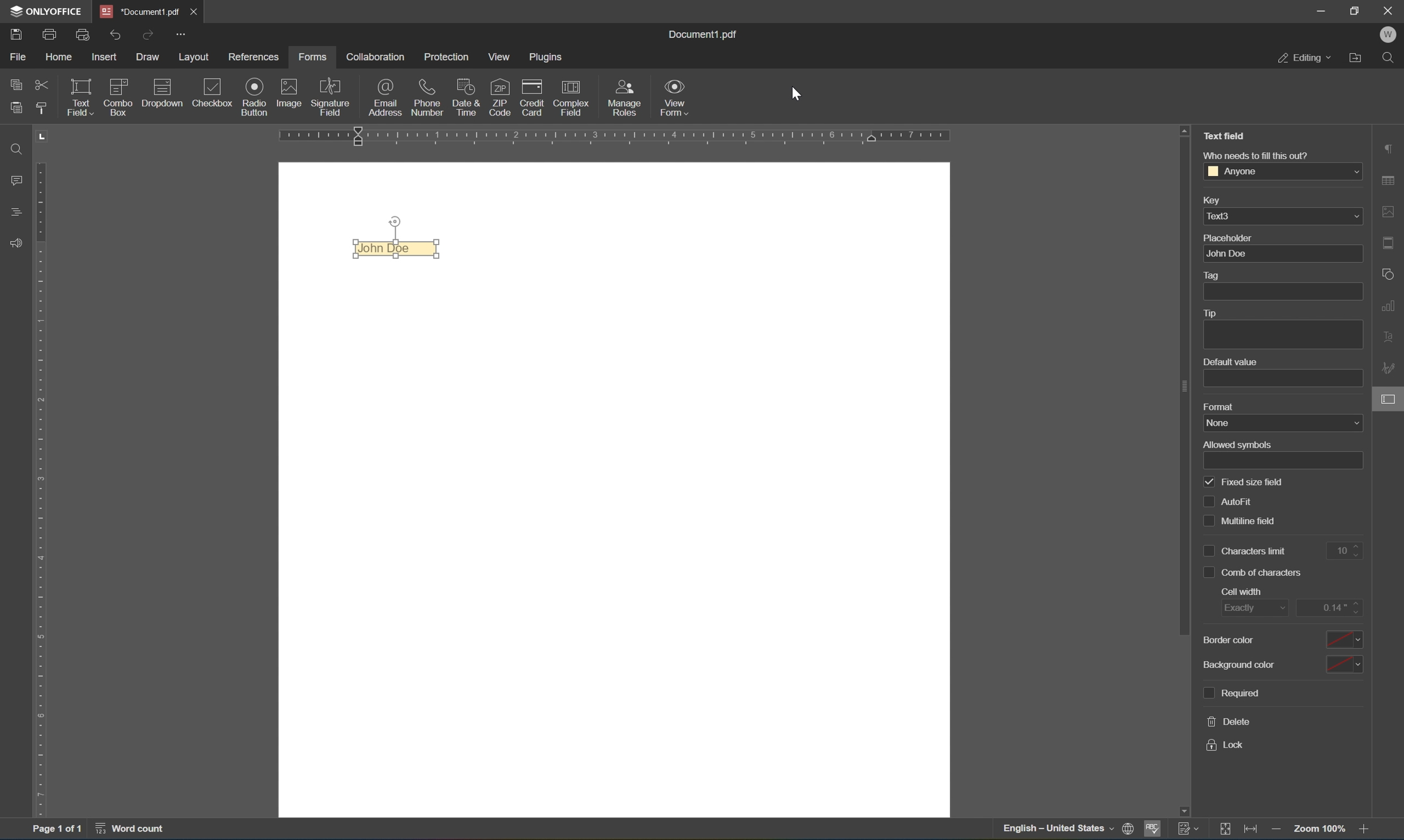 This screenshot has height=840, width=1404. I want to click on references, so click(255, 58).